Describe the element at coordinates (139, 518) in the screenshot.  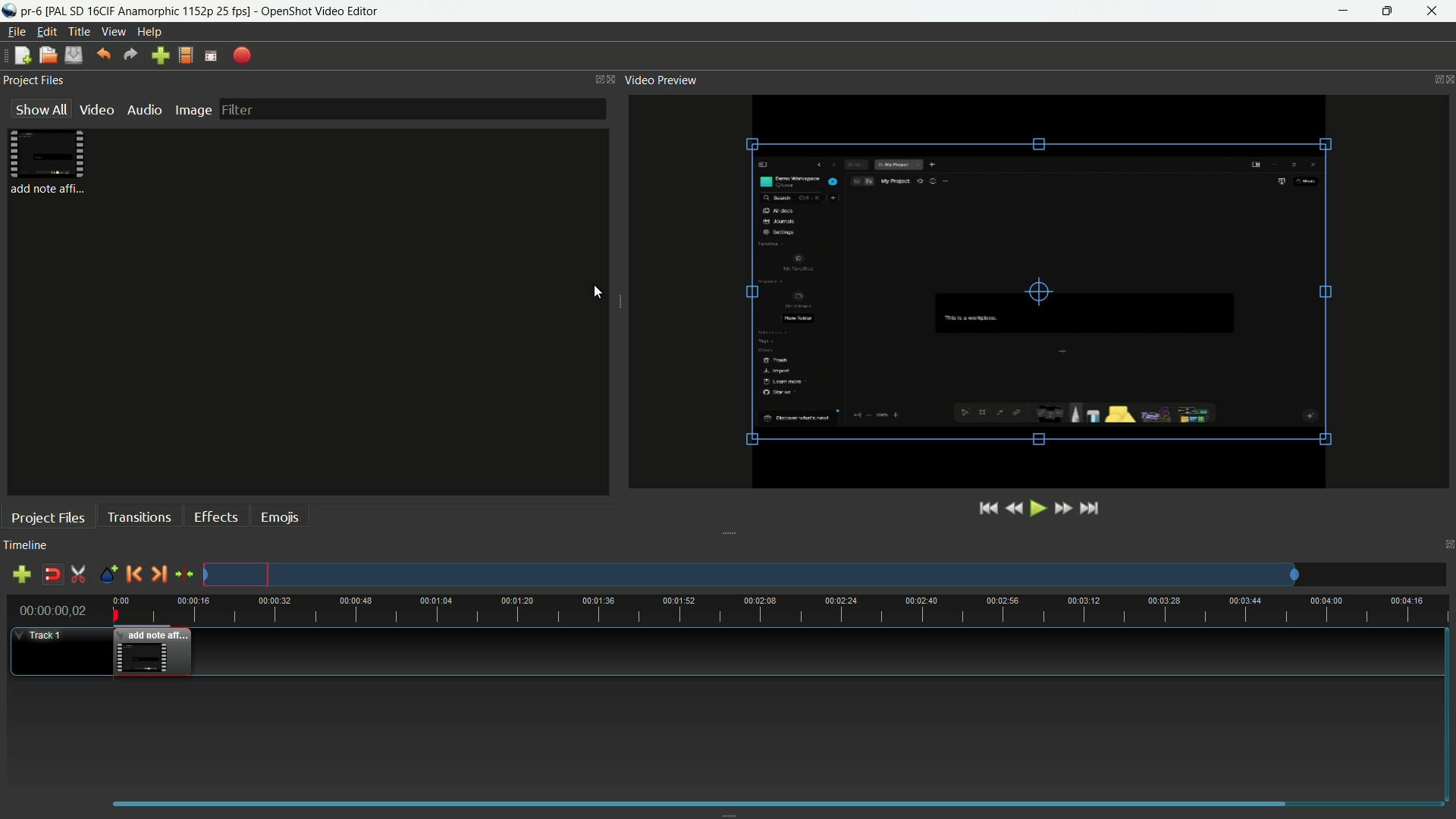
I see `transitions` at that location.